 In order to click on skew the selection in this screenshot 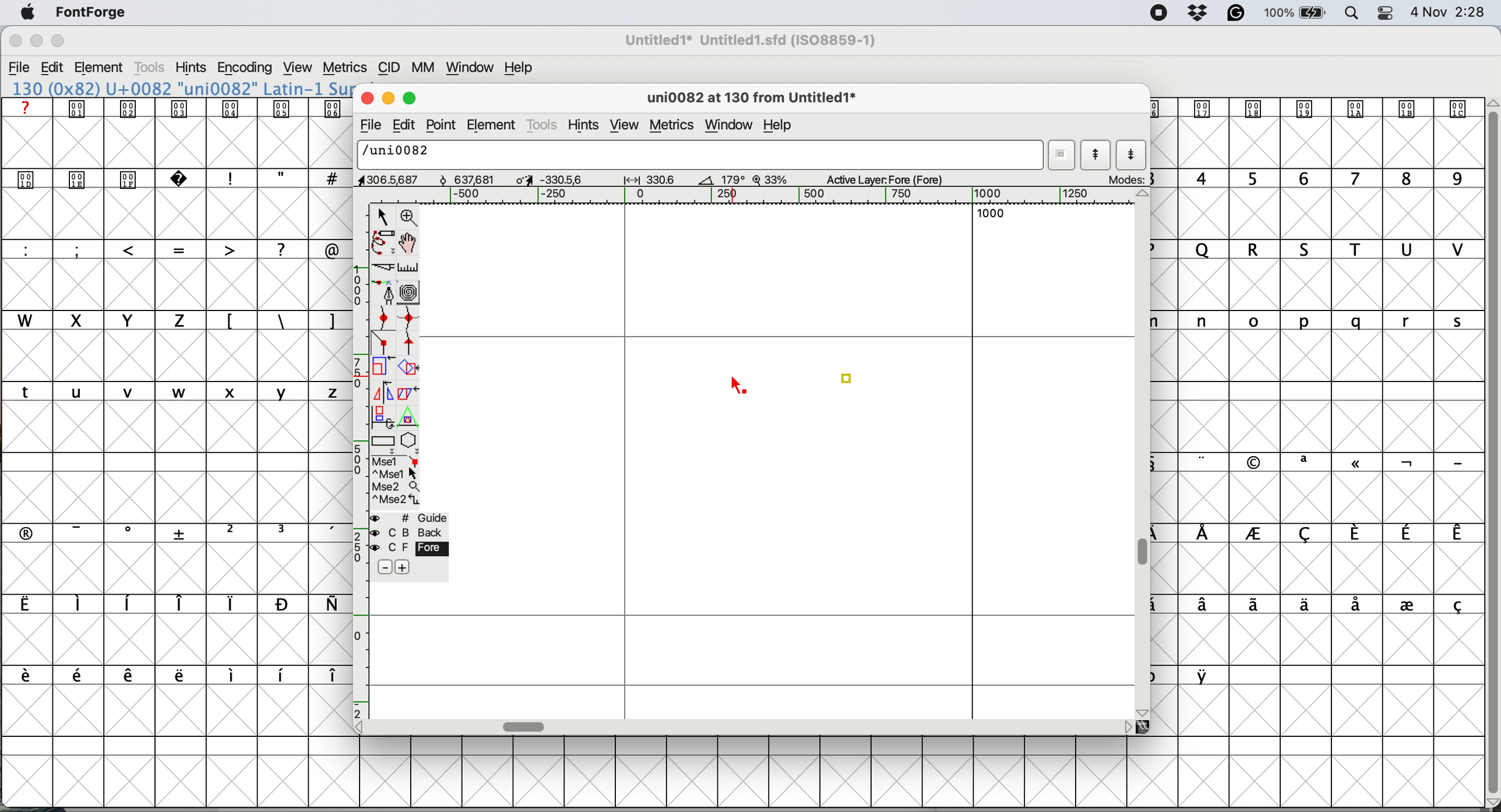, I will do `click(406, 391)`.